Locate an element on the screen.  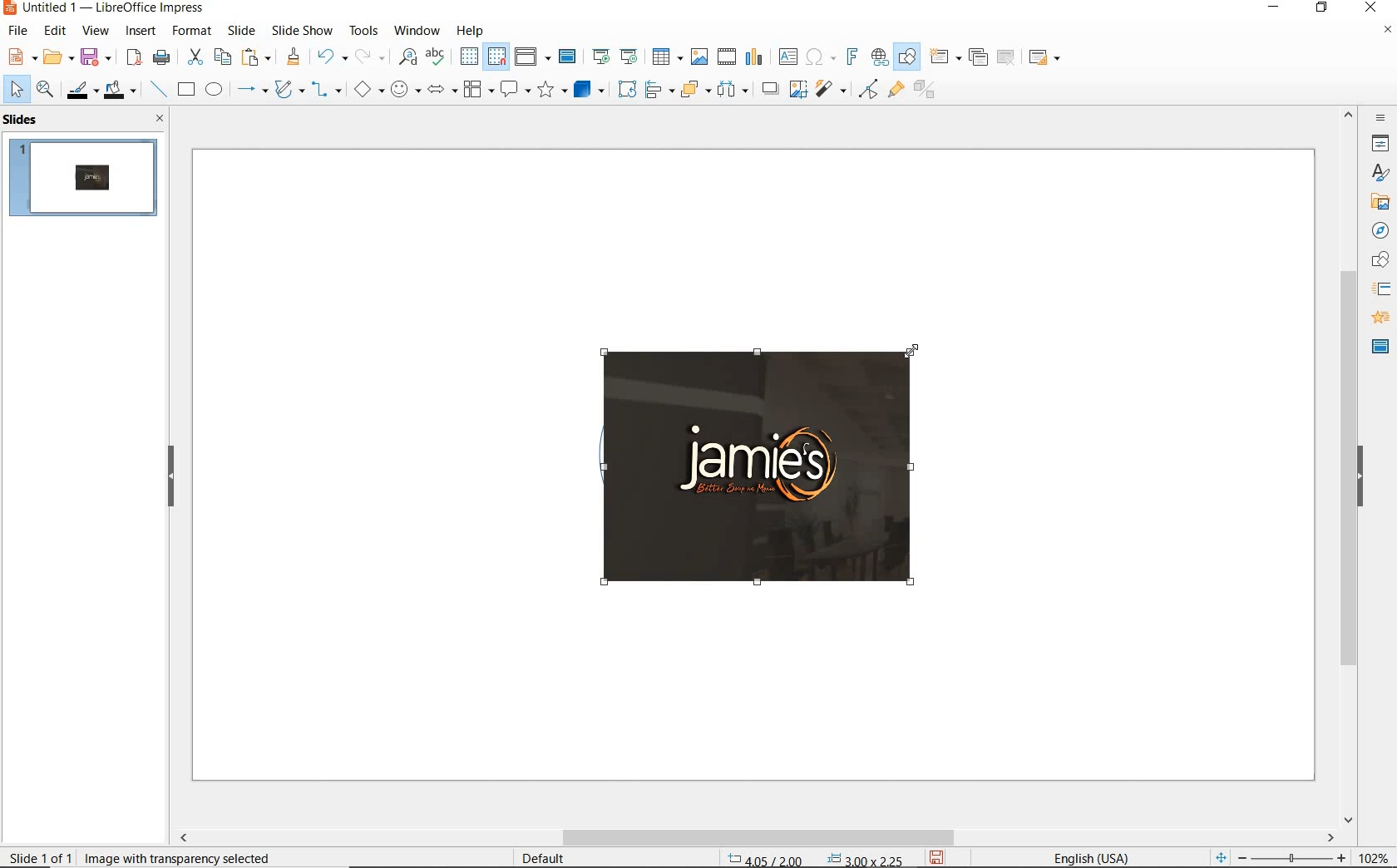
rectangle is located at coordinates (185, 91).